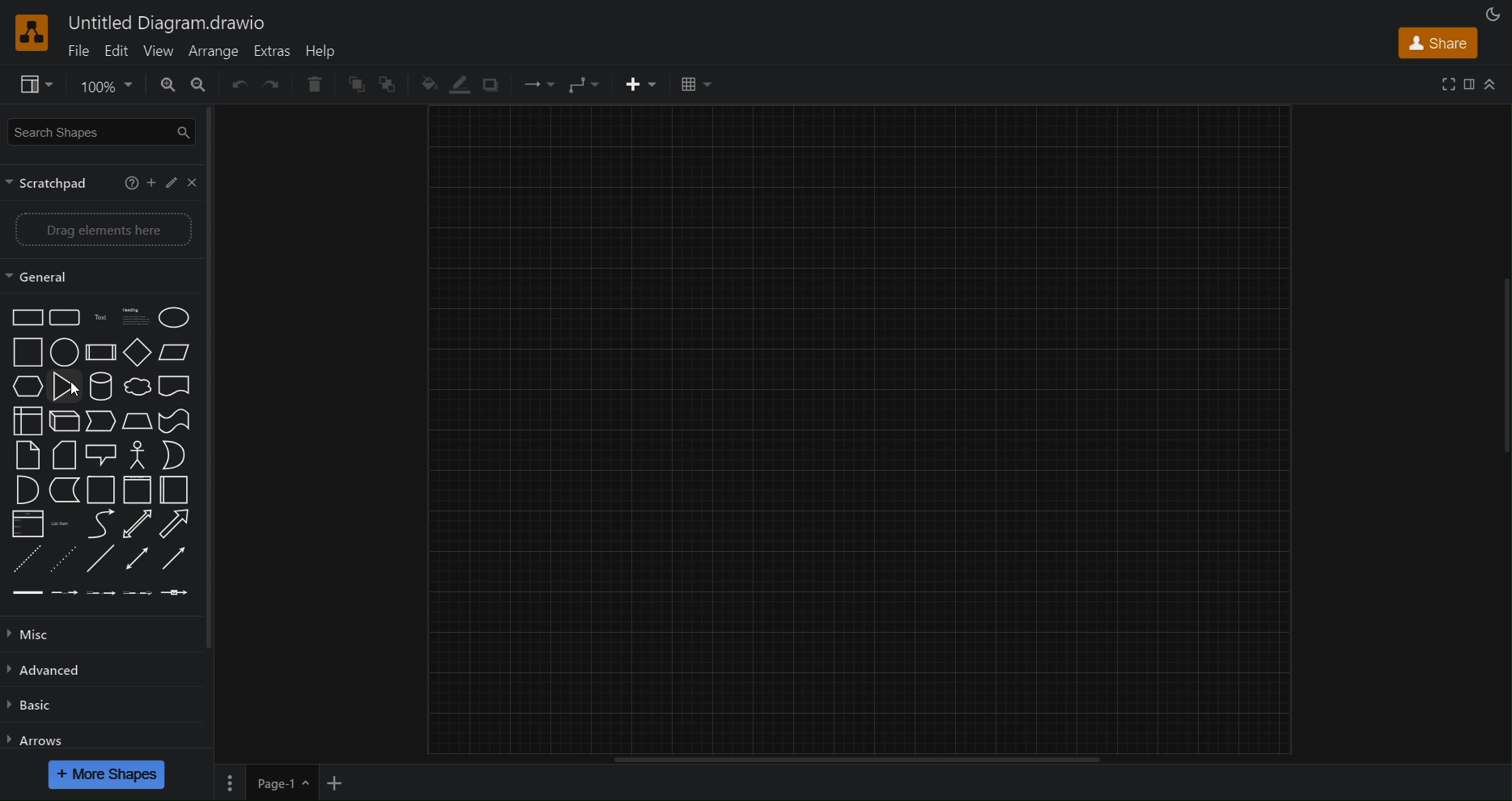  Describe the element at coordinates (1471, 83) in the screenshot. I see `Format` at that location.